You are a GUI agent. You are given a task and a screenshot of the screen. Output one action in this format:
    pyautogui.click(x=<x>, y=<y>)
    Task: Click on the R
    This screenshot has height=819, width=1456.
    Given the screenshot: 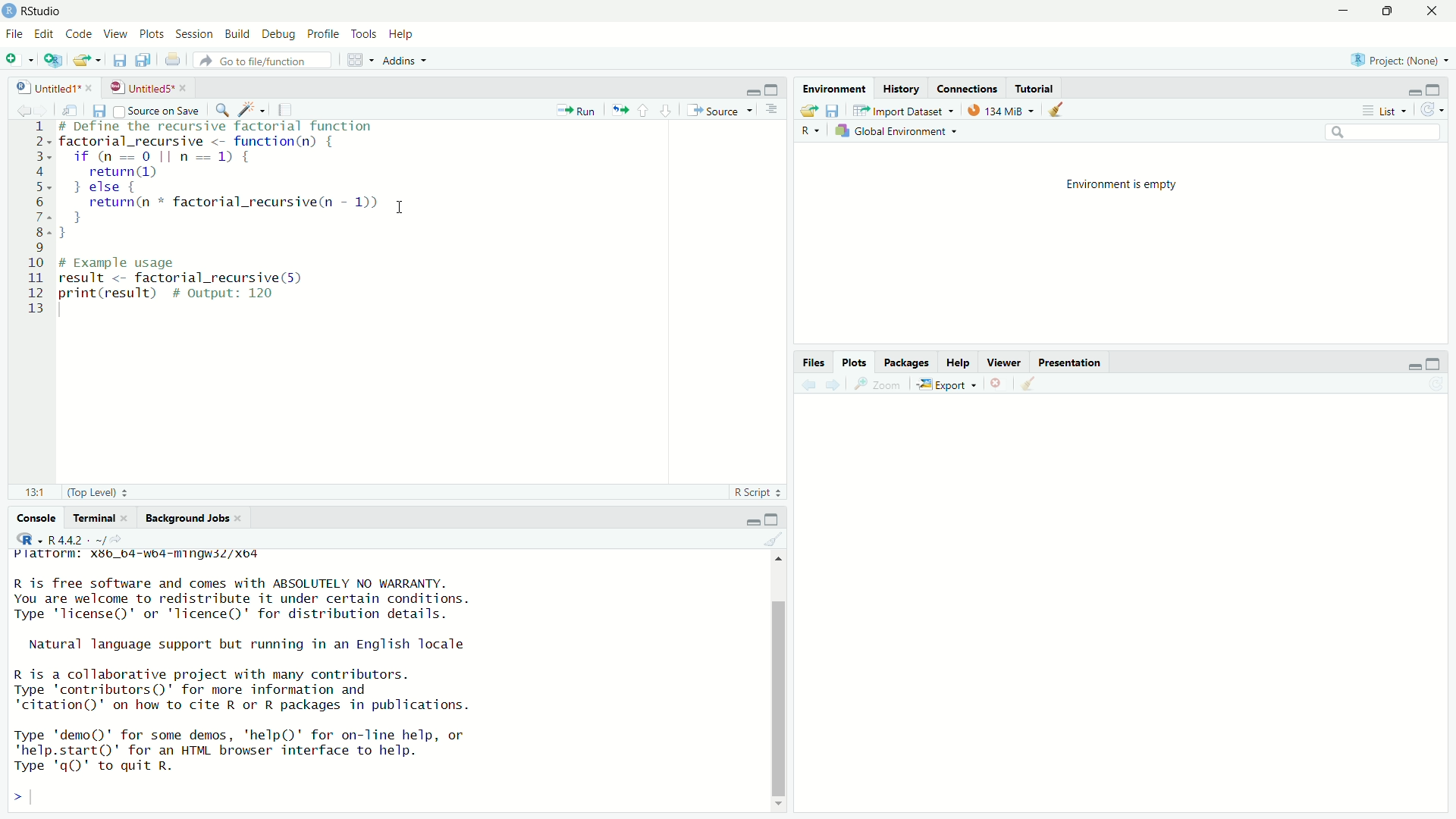 What is the action you would take?
    pyautogui.click(x=811, y=131)
    